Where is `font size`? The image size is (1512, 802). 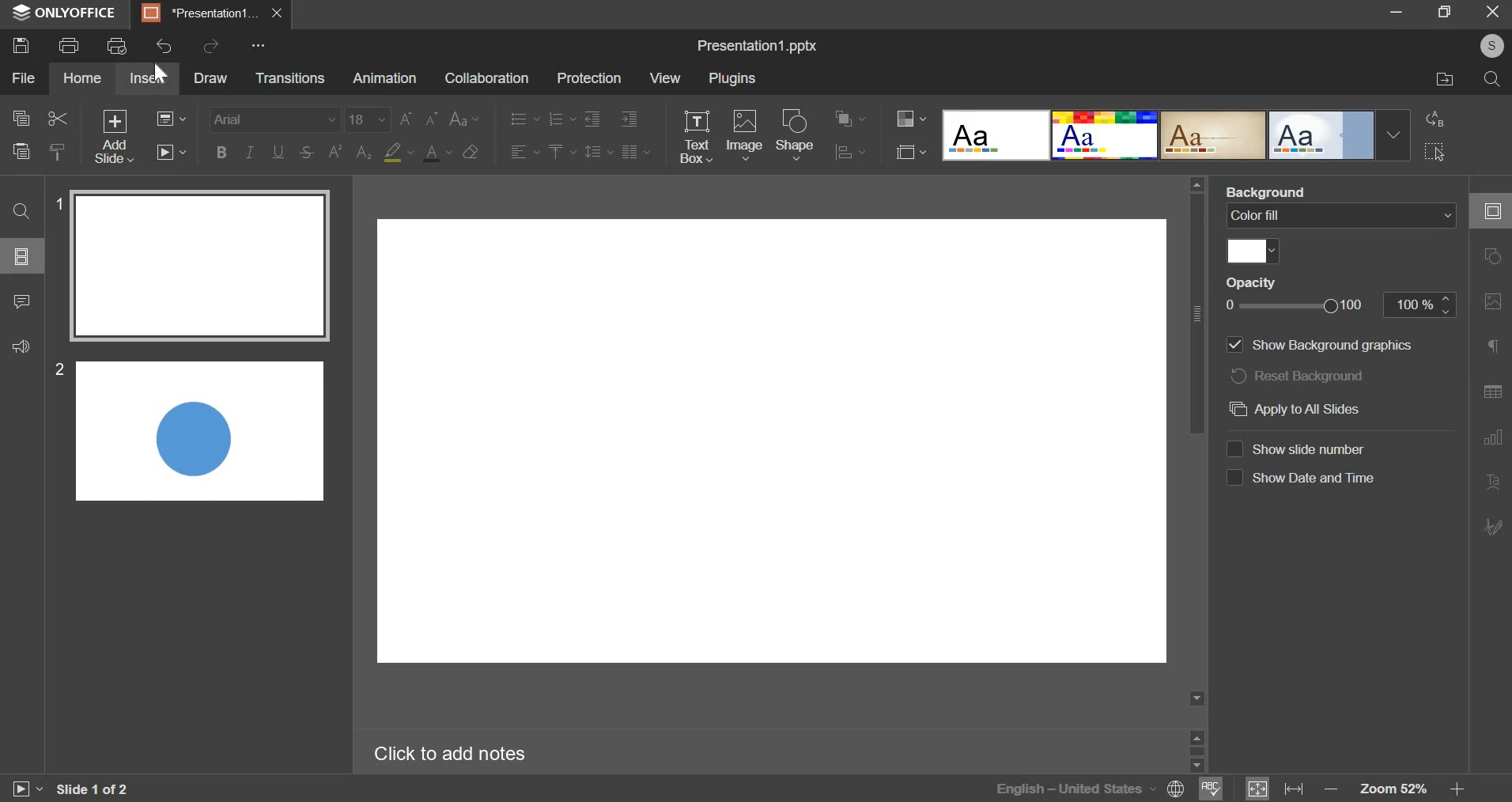 font size is located at coordinates (368, 119).